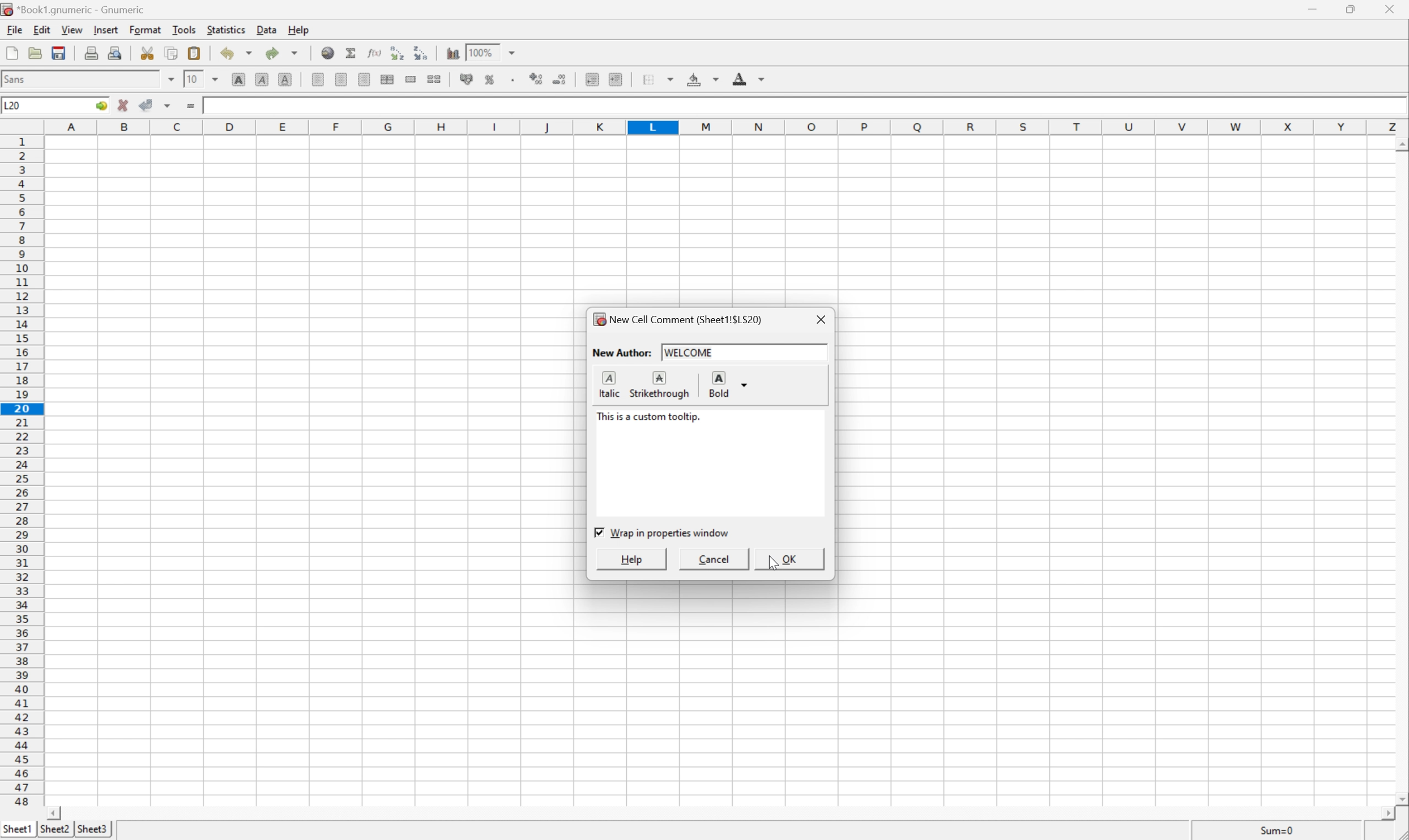 The height and width of the screenshot is (840, 1409). Describe the element at coordinates (560, 79) in the screenshot. I see `Decrease number of decimals displayed` at that location.